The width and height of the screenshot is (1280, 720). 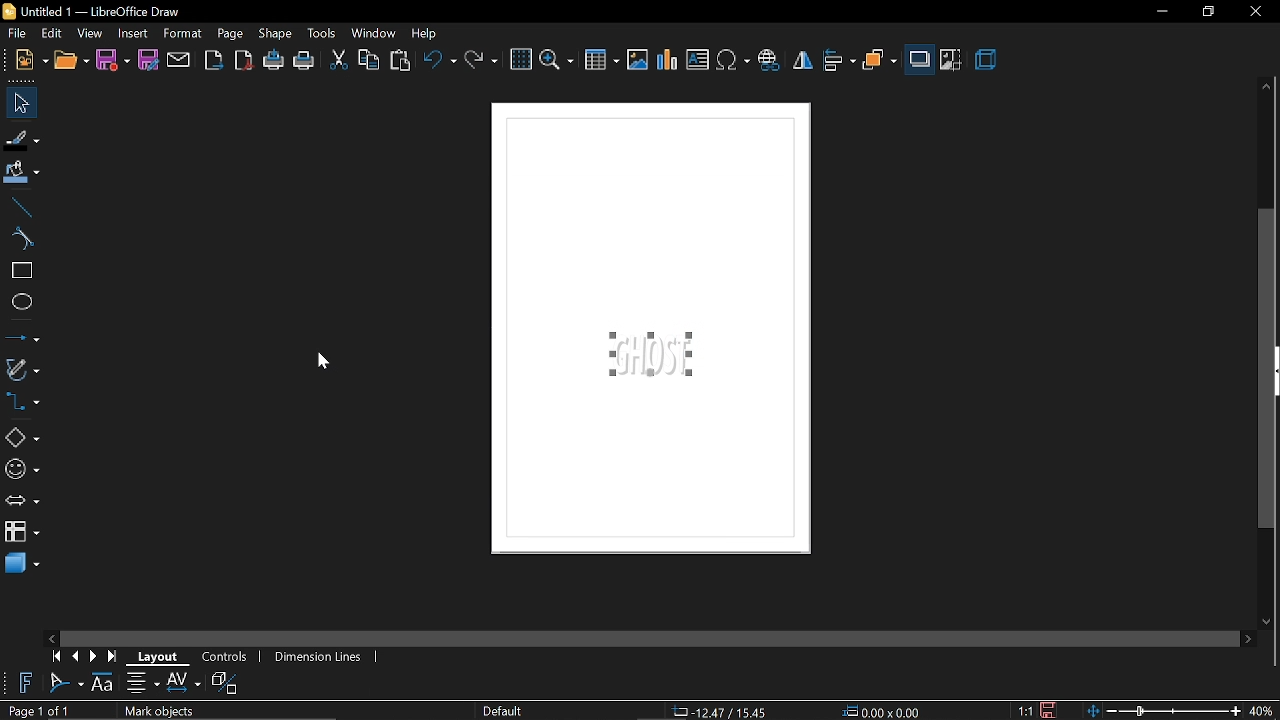 What do you see at coordinates (838, 62) in the screenshot?
I see `align` at bounding box center [838, 62].